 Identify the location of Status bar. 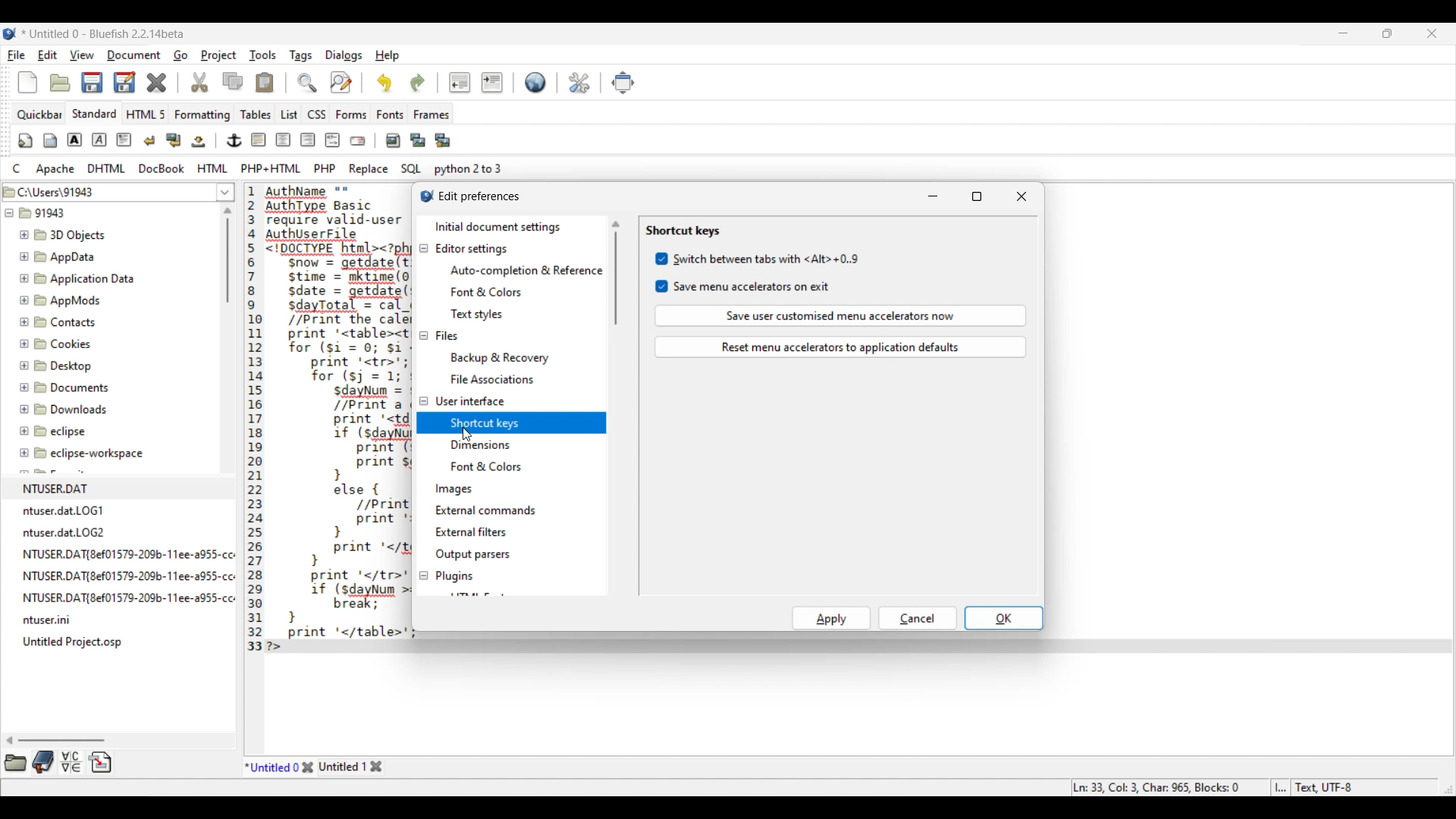
(1215, 788).